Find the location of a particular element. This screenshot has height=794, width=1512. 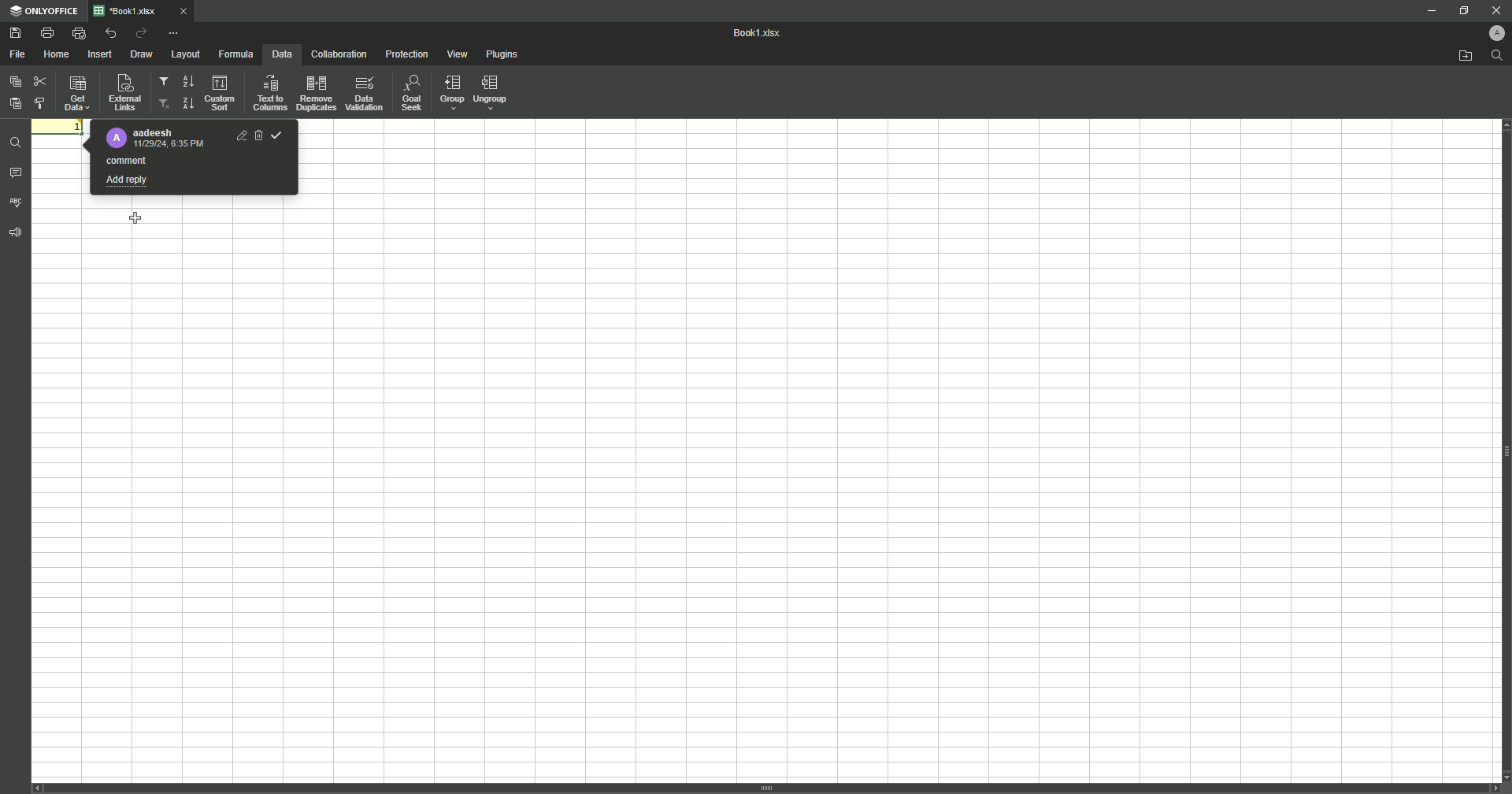

Group is located at coordinates (450, 94).